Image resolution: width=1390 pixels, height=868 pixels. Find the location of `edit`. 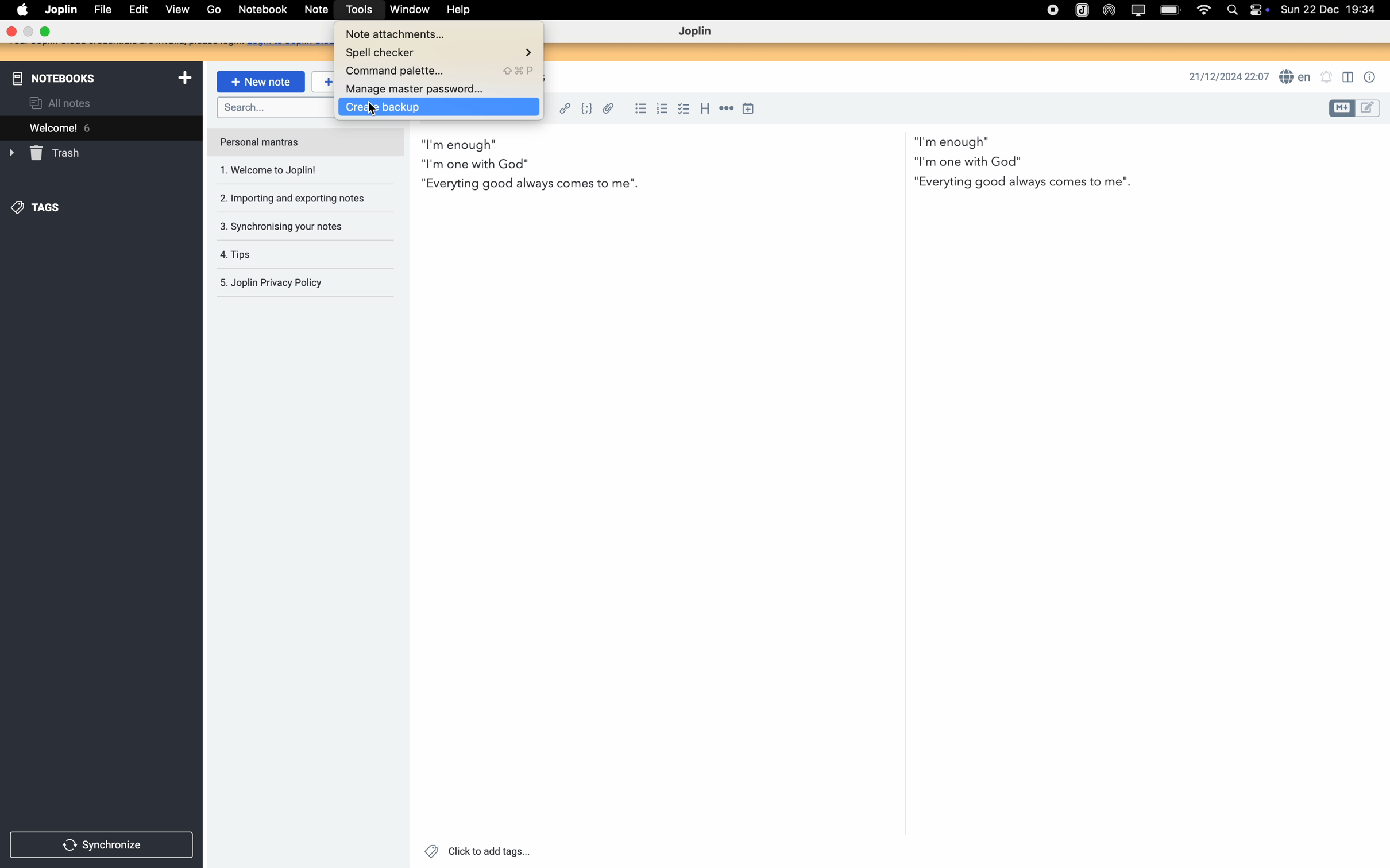

edit is located at coordinates (138, 9).